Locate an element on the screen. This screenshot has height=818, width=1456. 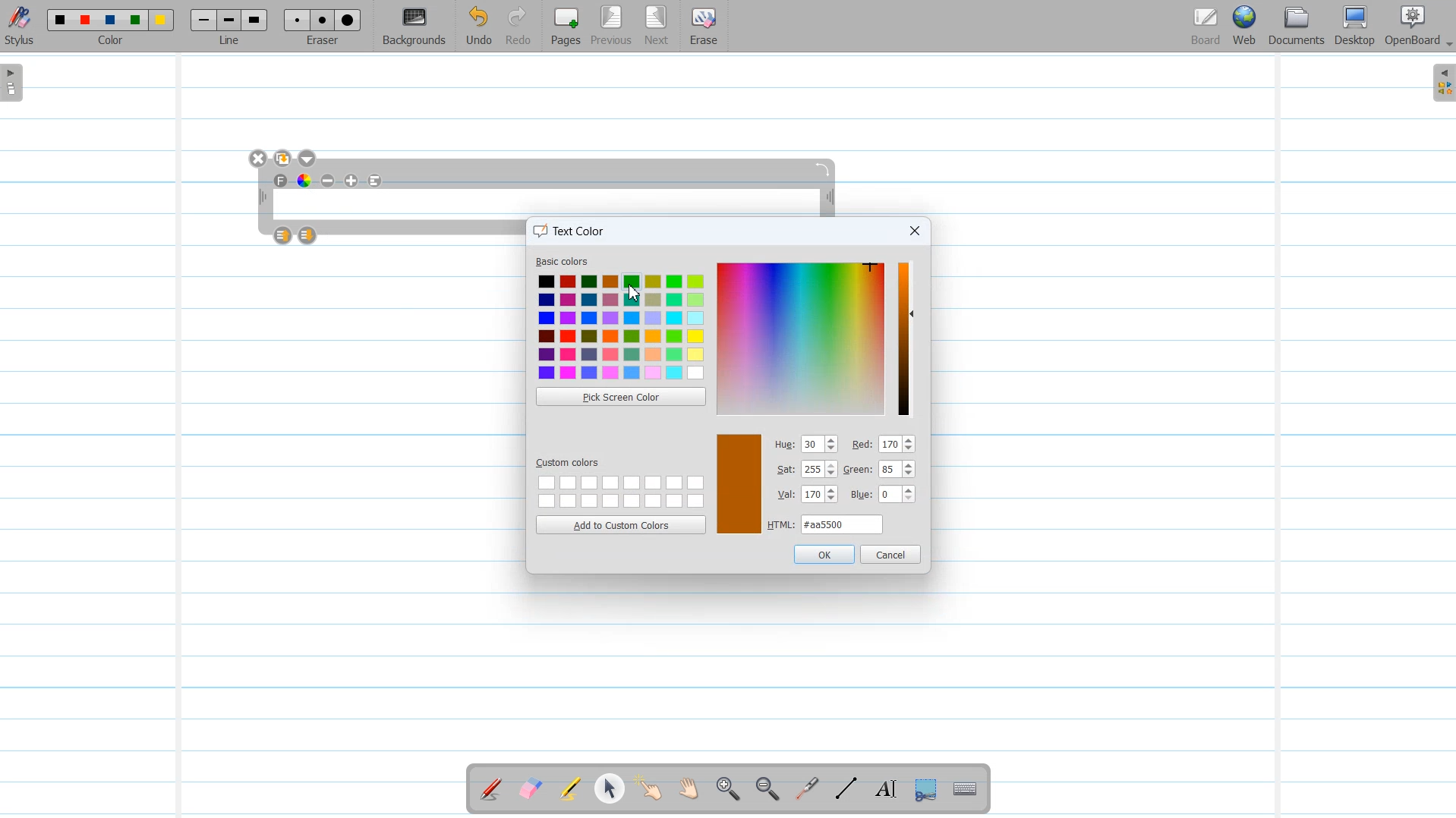
Hue Adjuster is located at coordinates (807, 445).